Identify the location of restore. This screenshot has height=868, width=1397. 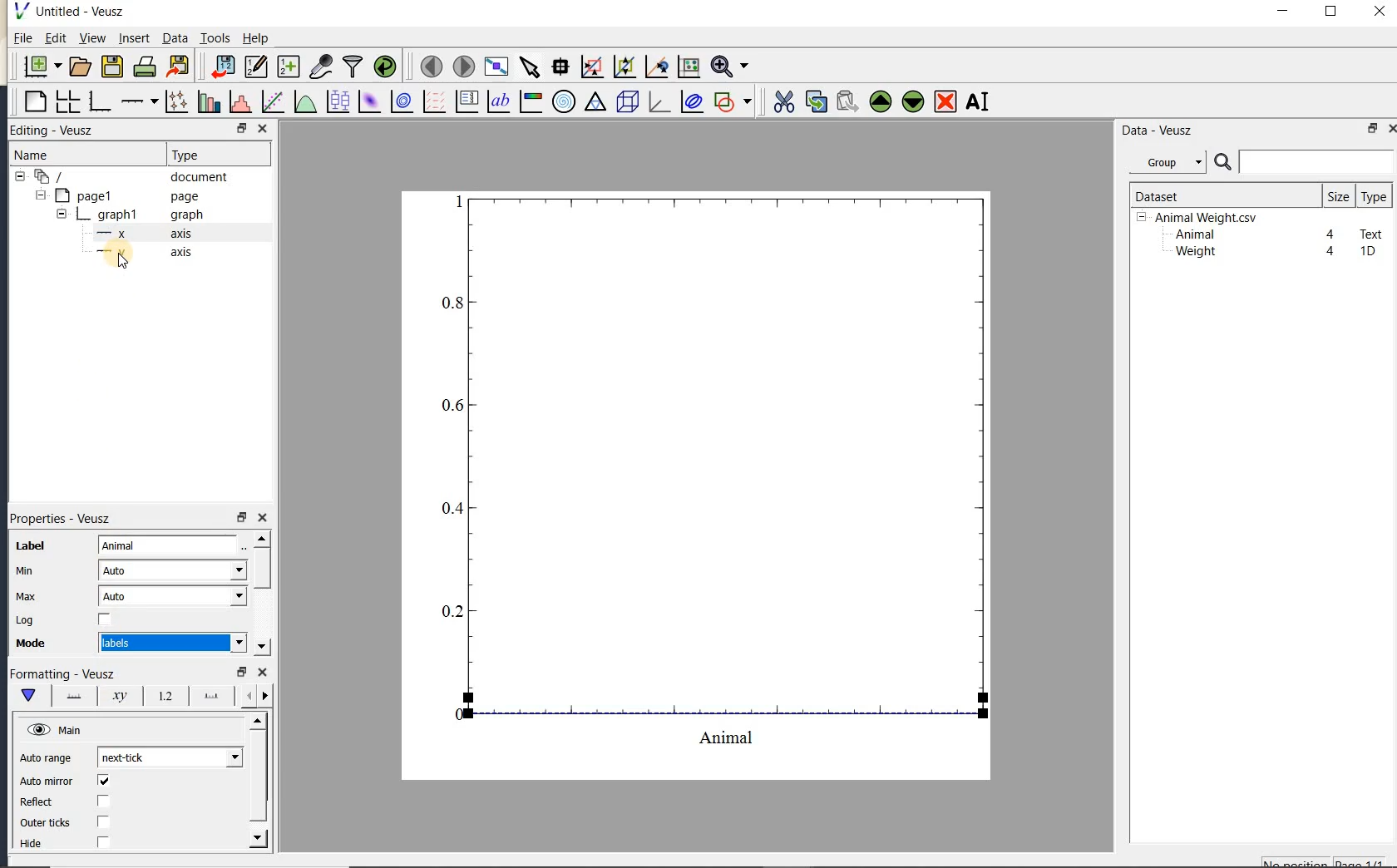
(240, 518).